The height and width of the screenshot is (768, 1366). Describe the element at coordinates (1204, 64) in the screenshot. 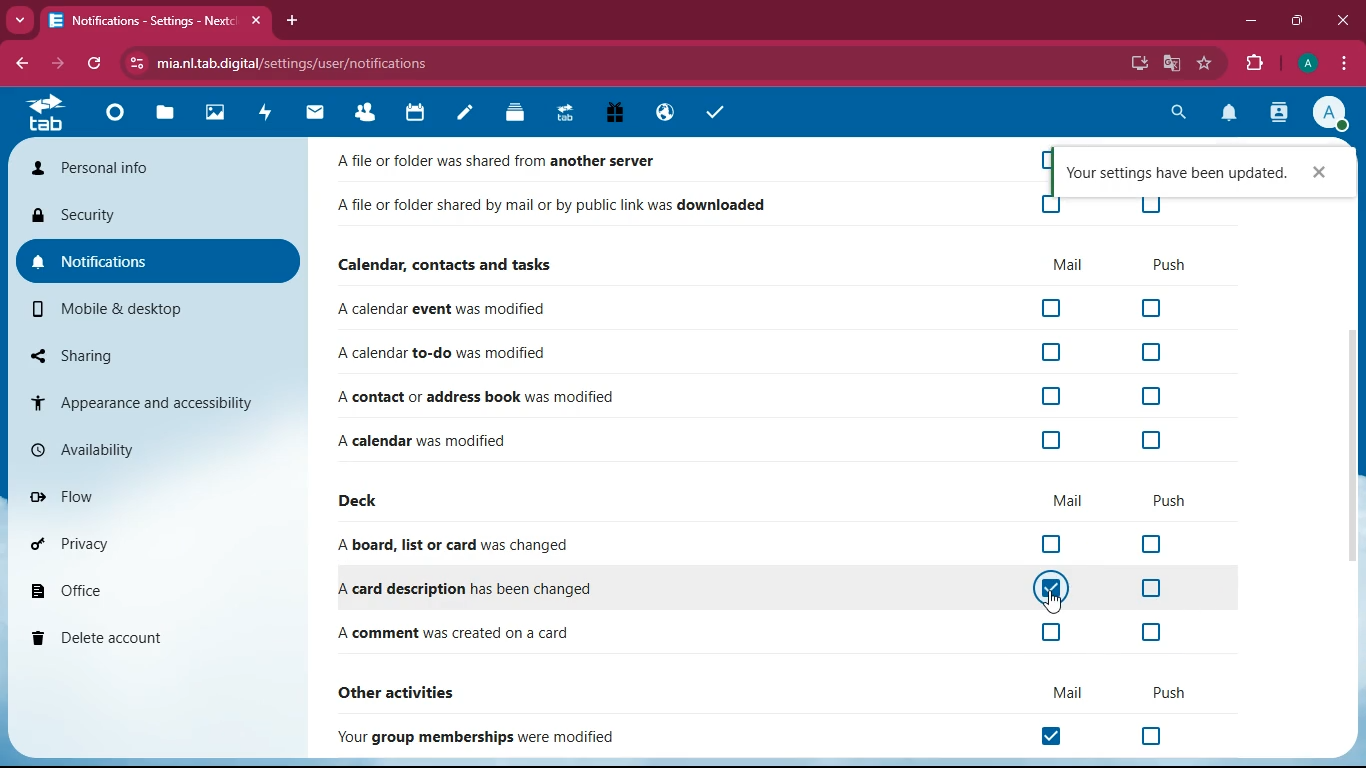

I see `favorite` at that location.